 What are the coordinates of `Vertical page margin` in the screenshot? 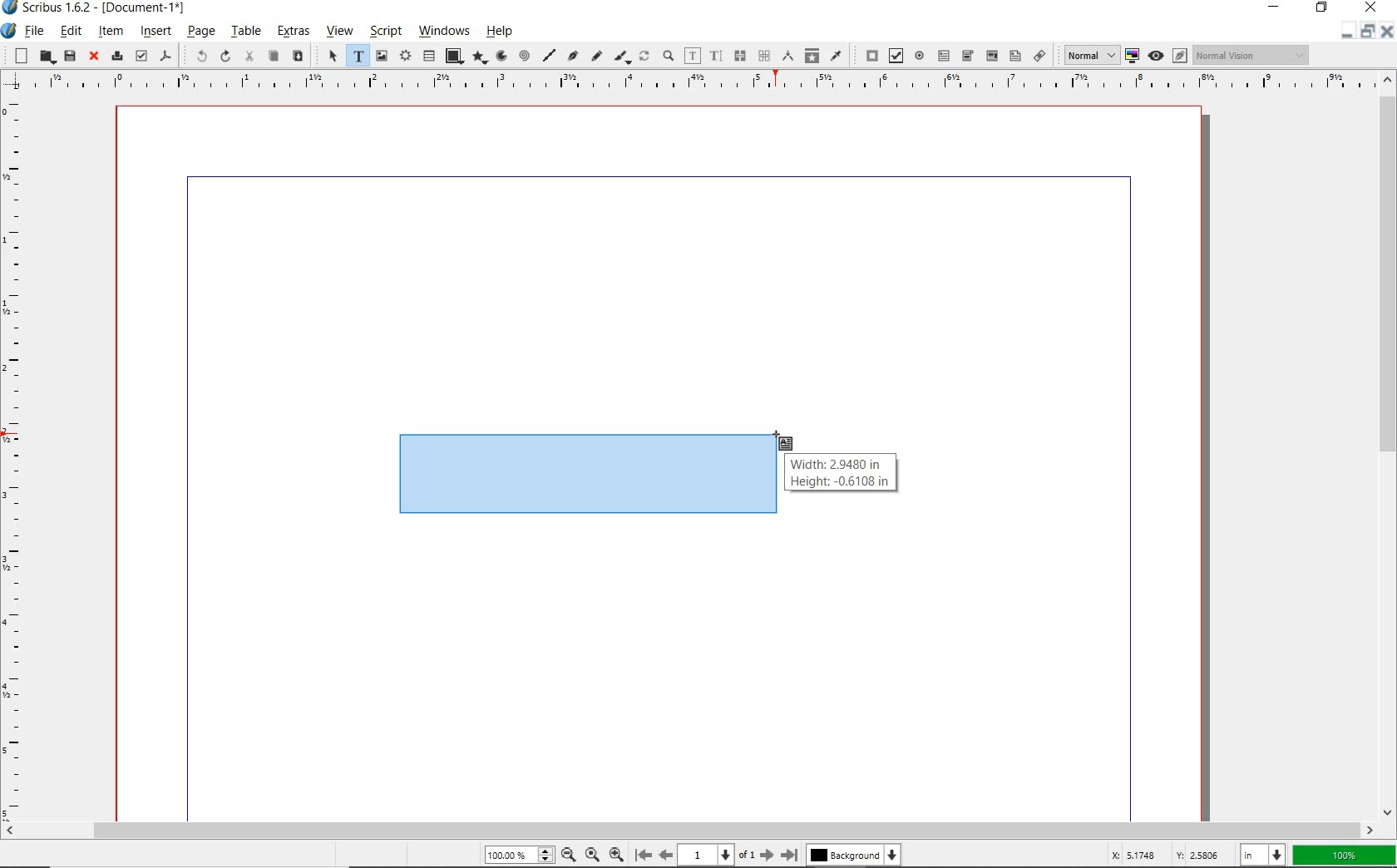 It's located at (683, 83).